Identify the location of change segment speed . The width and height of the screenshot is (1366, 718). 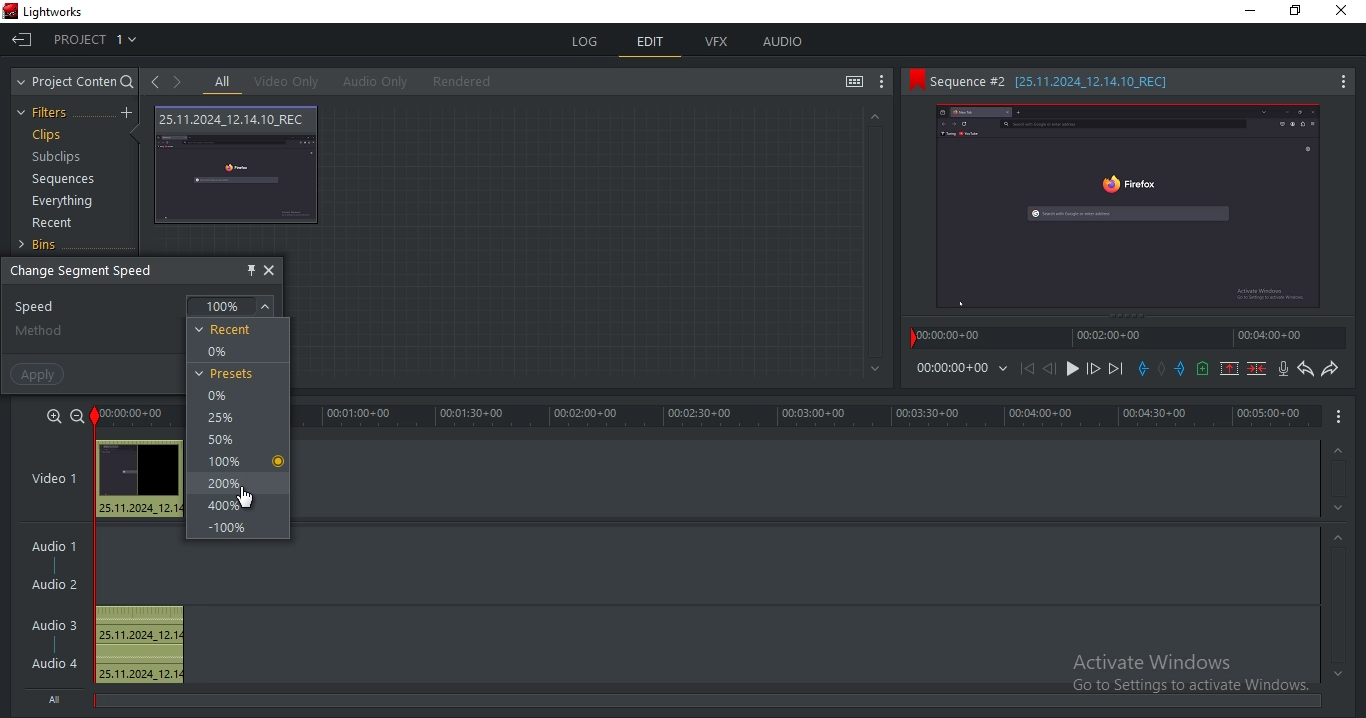
(87, 271).